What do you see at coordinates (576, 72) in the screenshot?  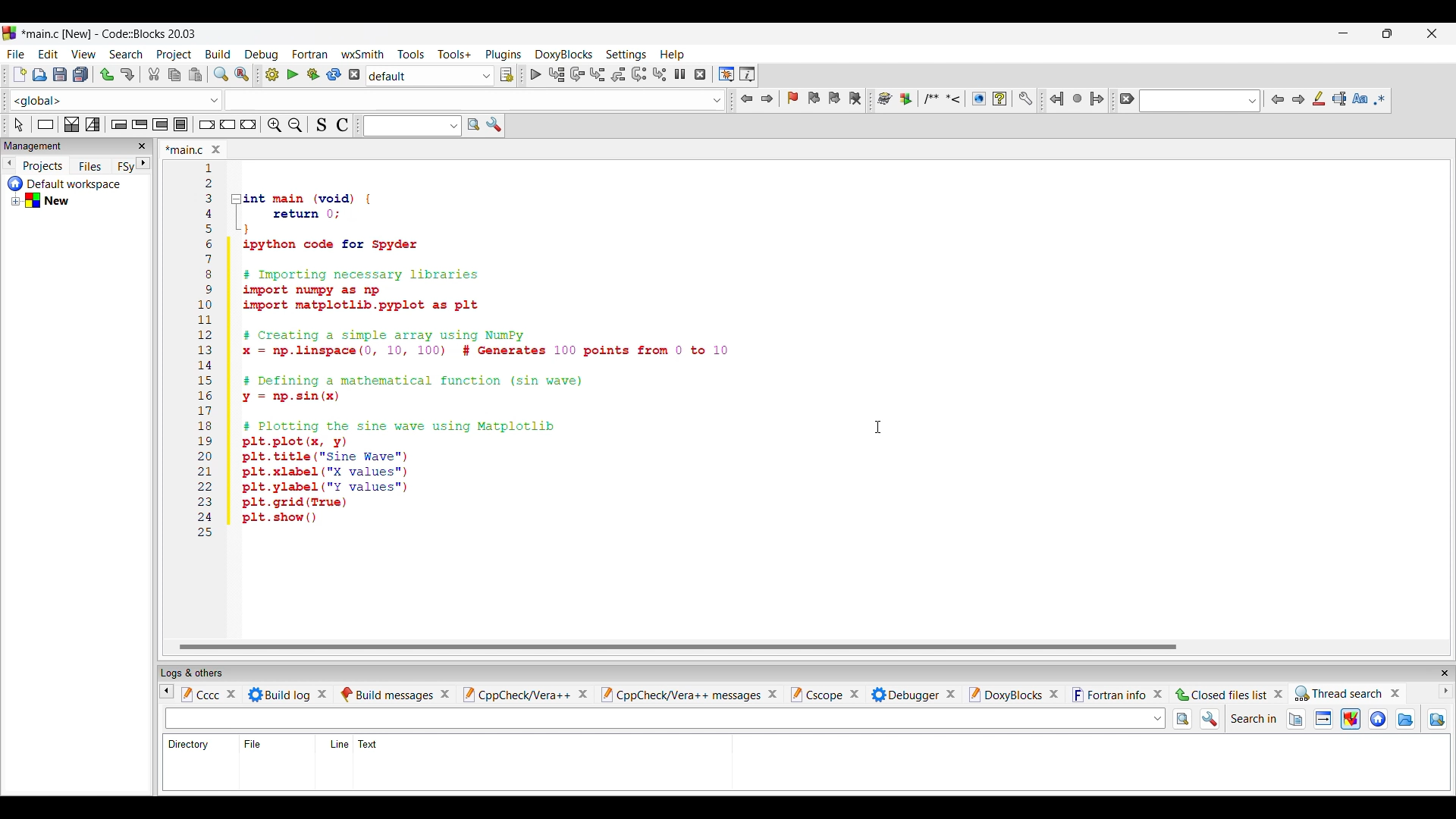 I see `Next line` at bounding box center [576, 72].